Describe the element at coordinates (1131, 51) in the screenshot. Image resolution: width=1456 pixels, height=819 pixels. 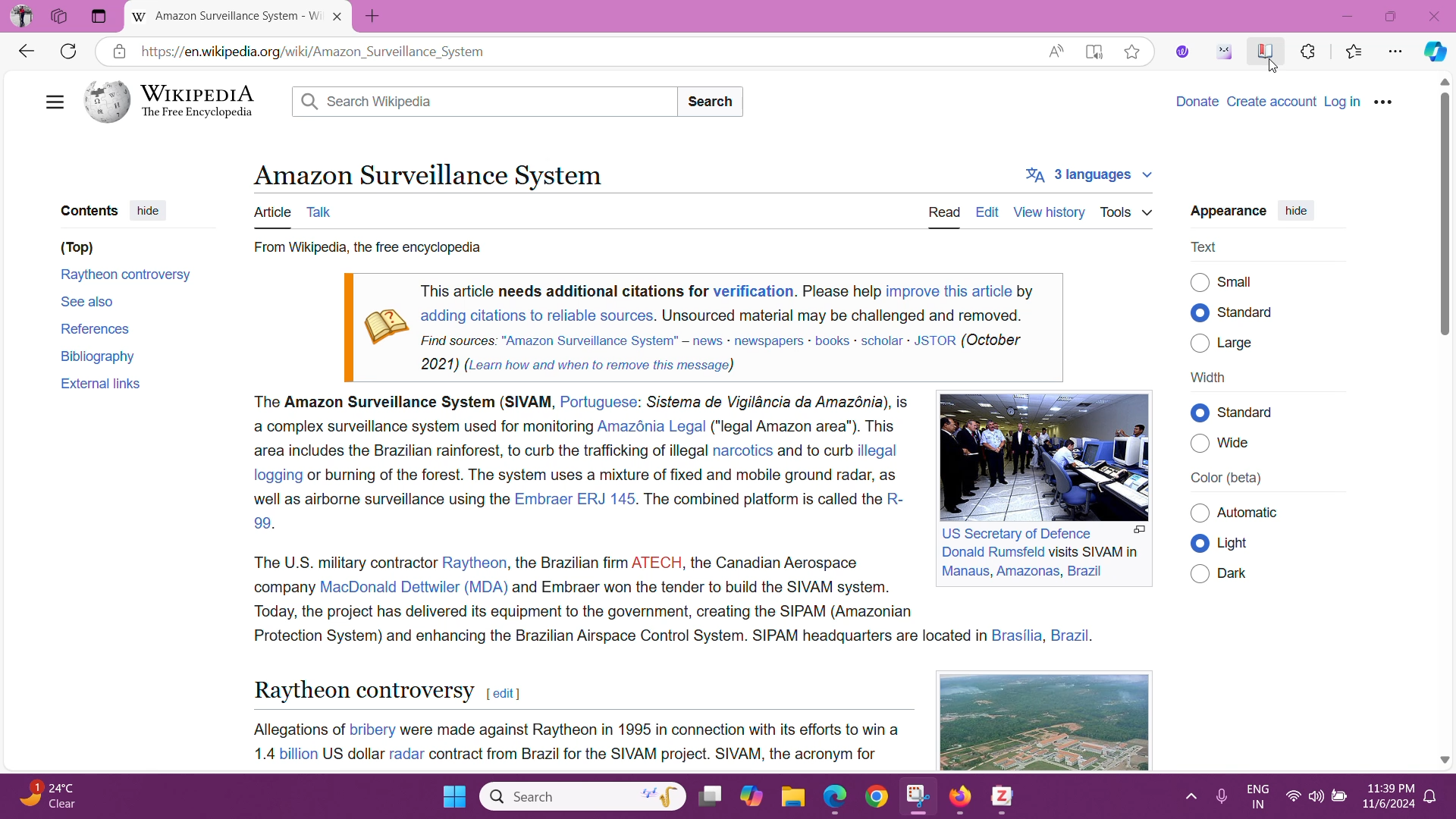
I see `Add this page to favorites` at that location.